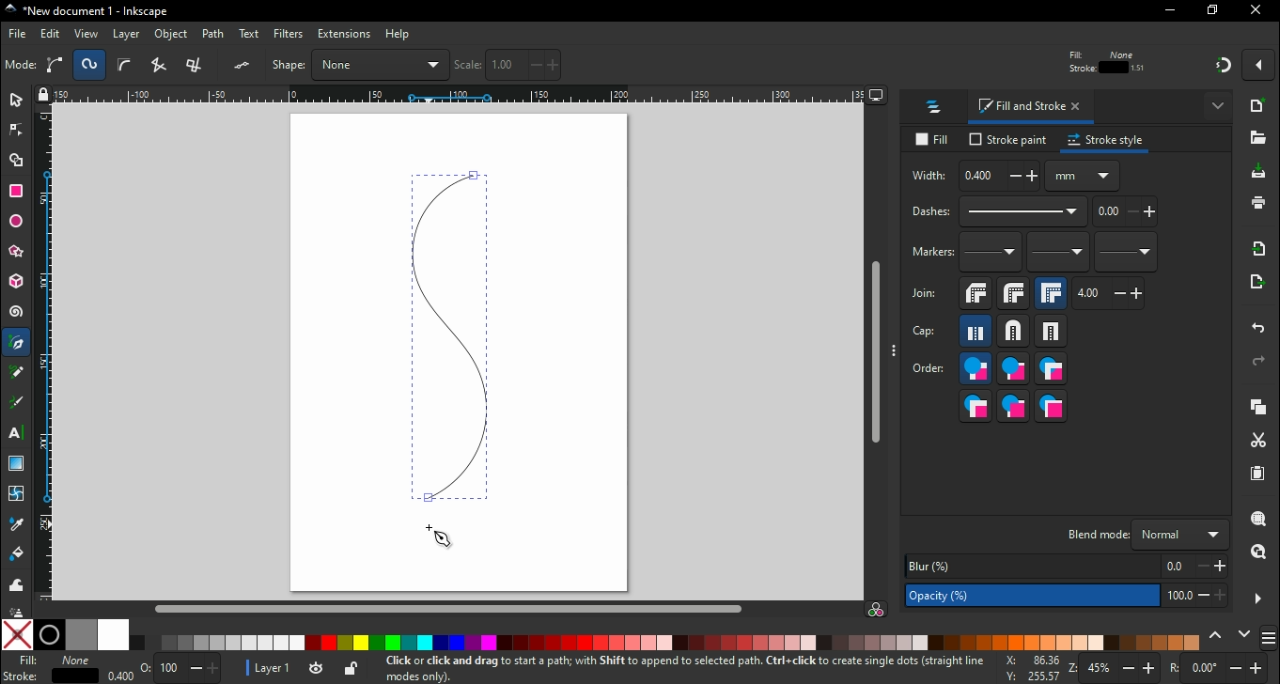 This screenshot has width=1280, height=684. Describe the element at coordinates (244, 65) in the screenshot. I see `Flatten spiro or BSpline LPE` at that location.